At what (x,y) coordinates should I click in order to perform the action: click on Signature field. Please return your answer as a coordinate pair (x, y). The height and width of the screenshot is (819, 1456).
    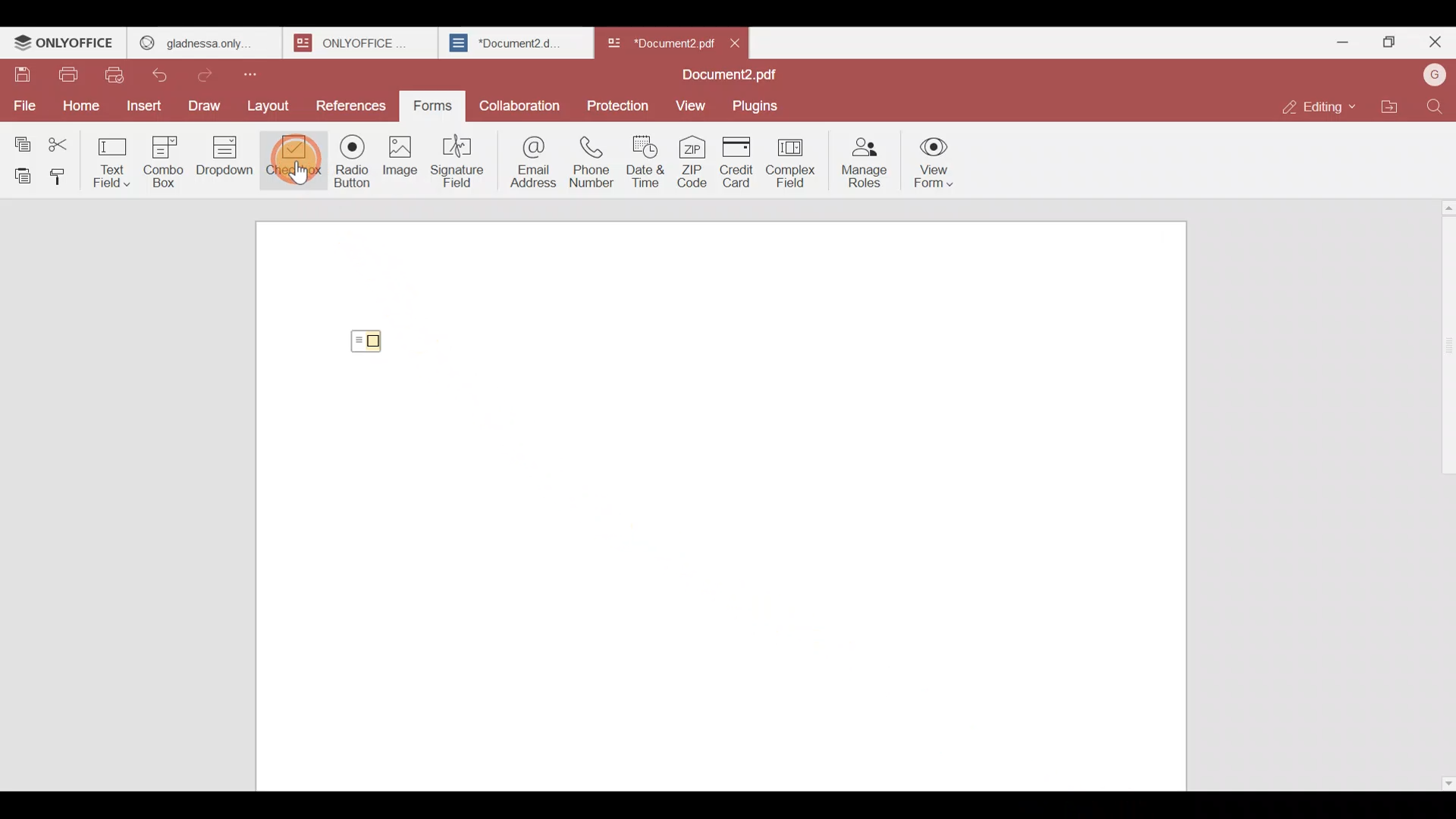
    Looking at the image, I should click on (462, 159).